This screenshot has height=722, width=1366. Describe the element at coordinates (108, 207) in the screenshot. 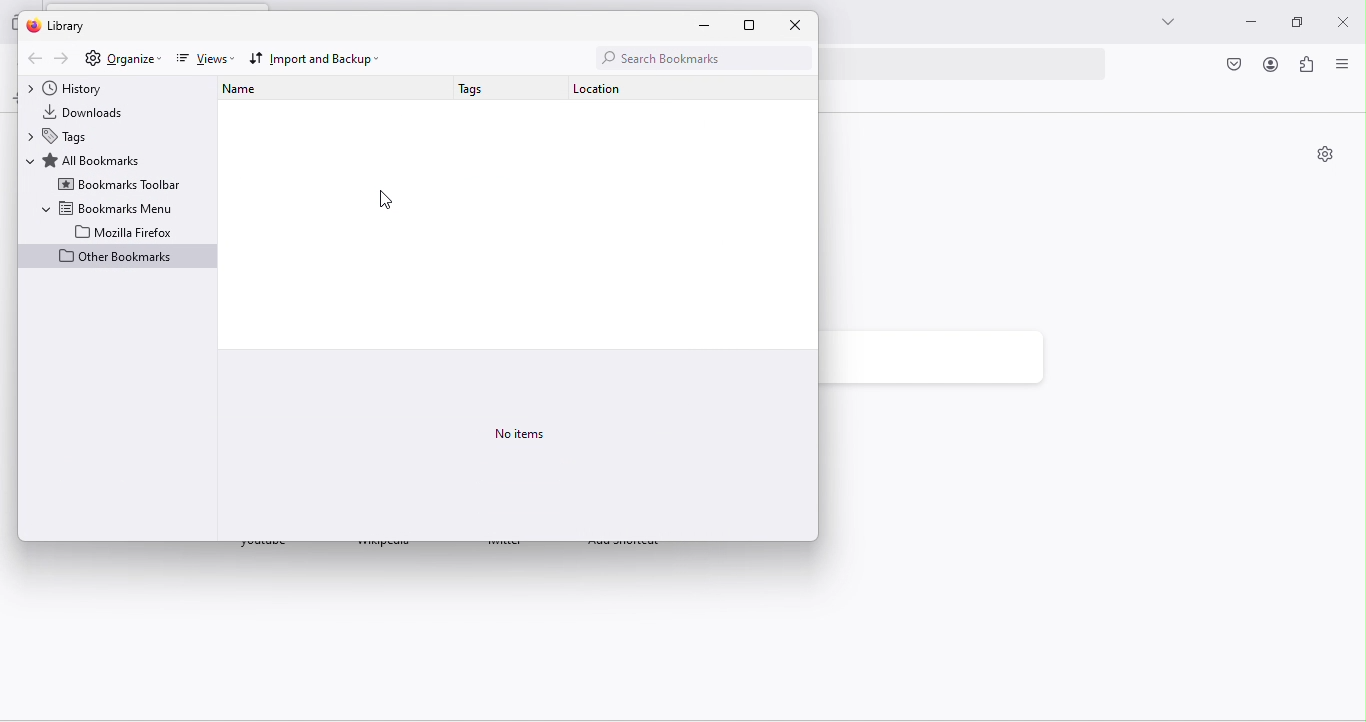

I see `bookmarks menu` at that location.